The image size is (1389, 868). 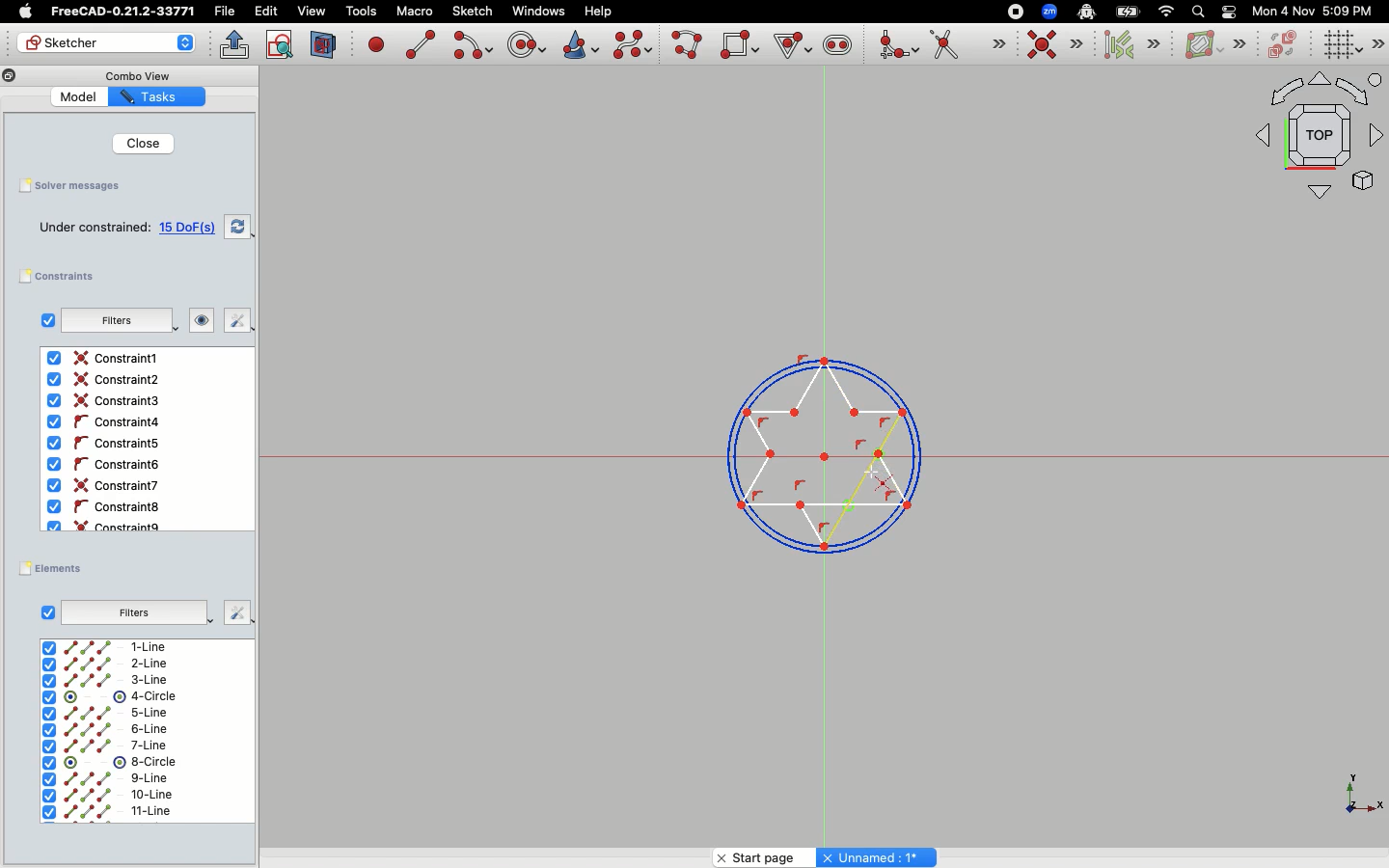 I want to click on Tasks, so click(x=157, y=97).